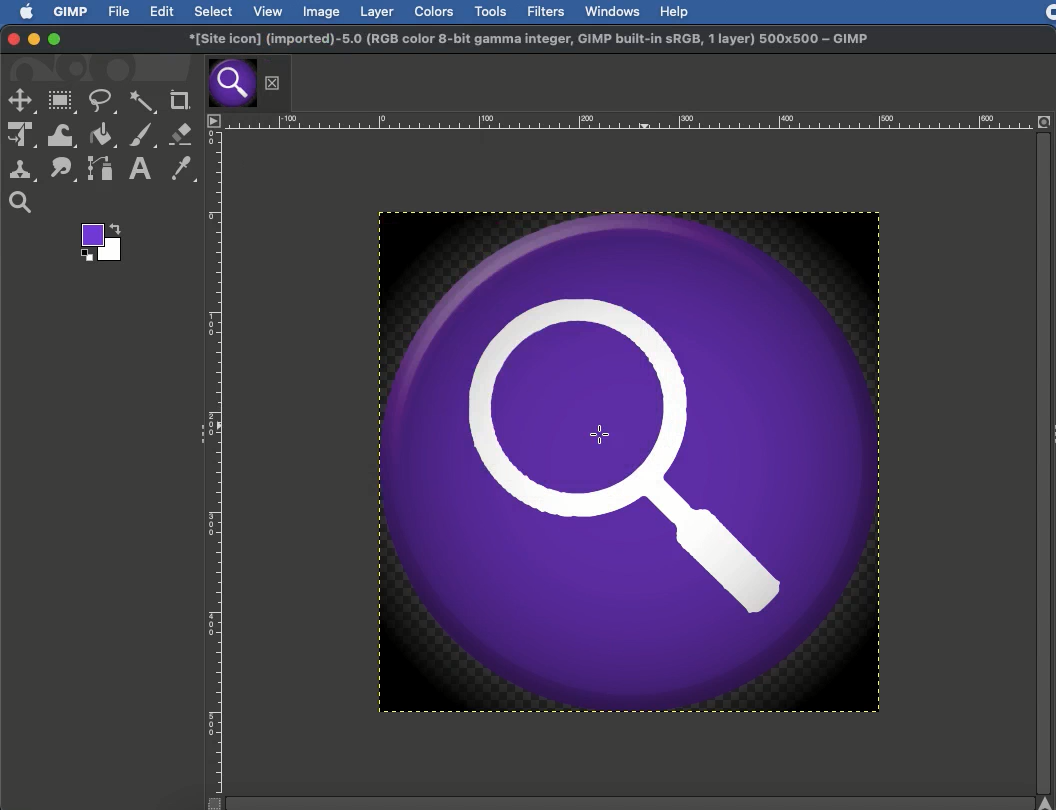  Describe the element at coordinates (62, 136) in the screenshot. I see `Warp transformation` at that location.